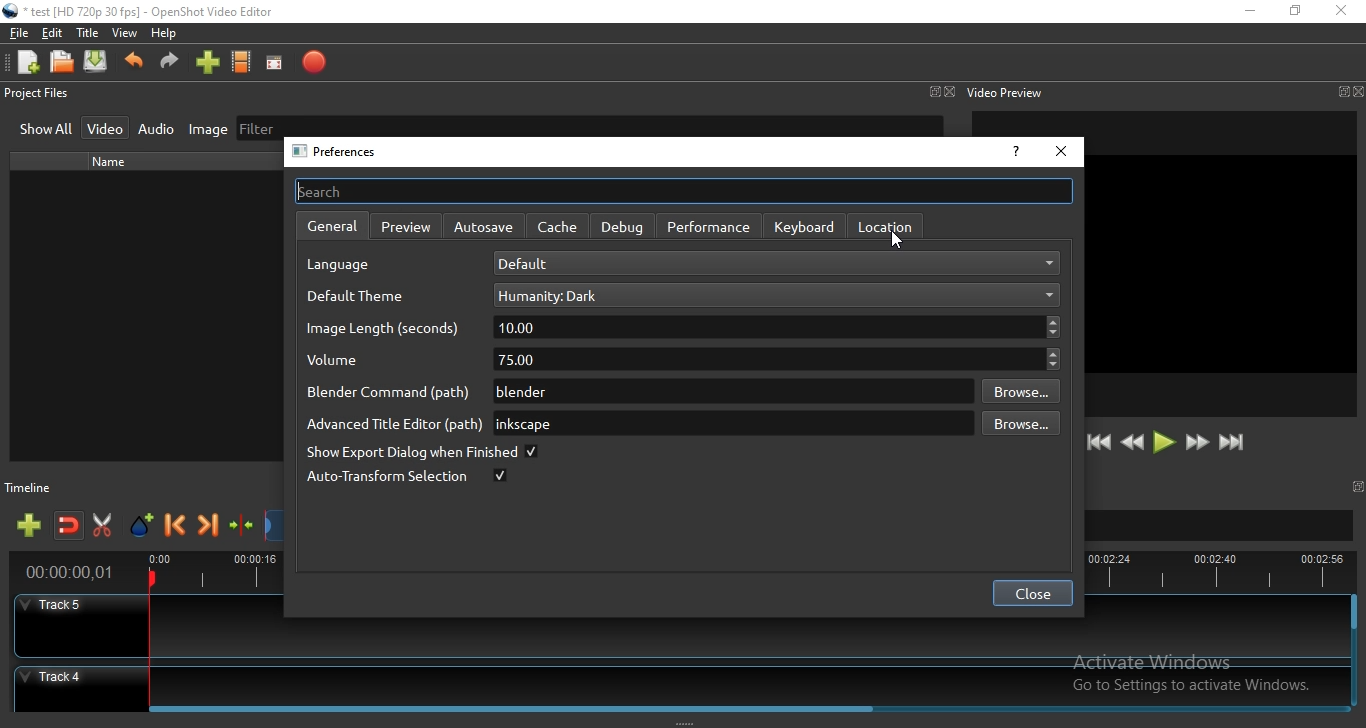 The image size is (1366, 728). I want to click on Track, so click(678, 682).